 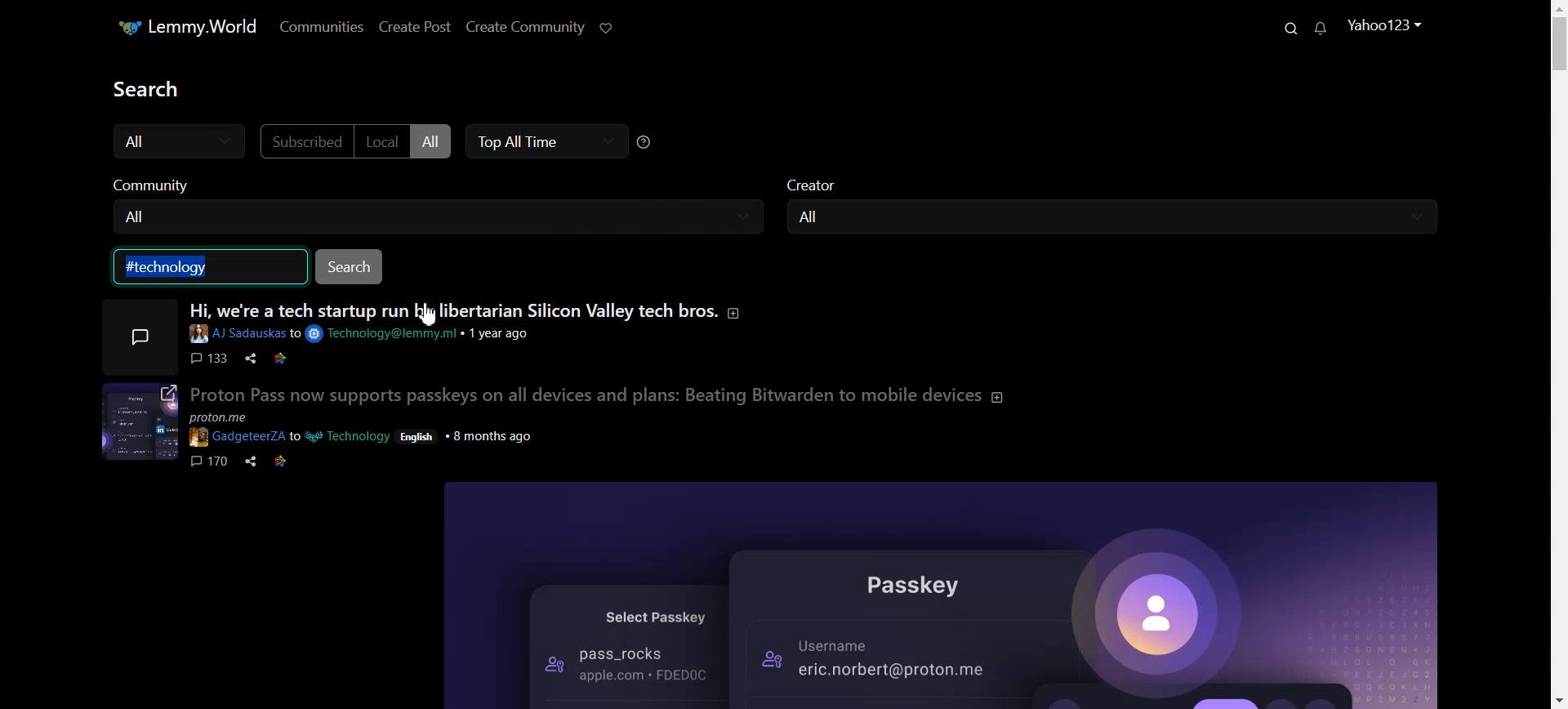 I want to click on Search button, so click(x=348, y=266).